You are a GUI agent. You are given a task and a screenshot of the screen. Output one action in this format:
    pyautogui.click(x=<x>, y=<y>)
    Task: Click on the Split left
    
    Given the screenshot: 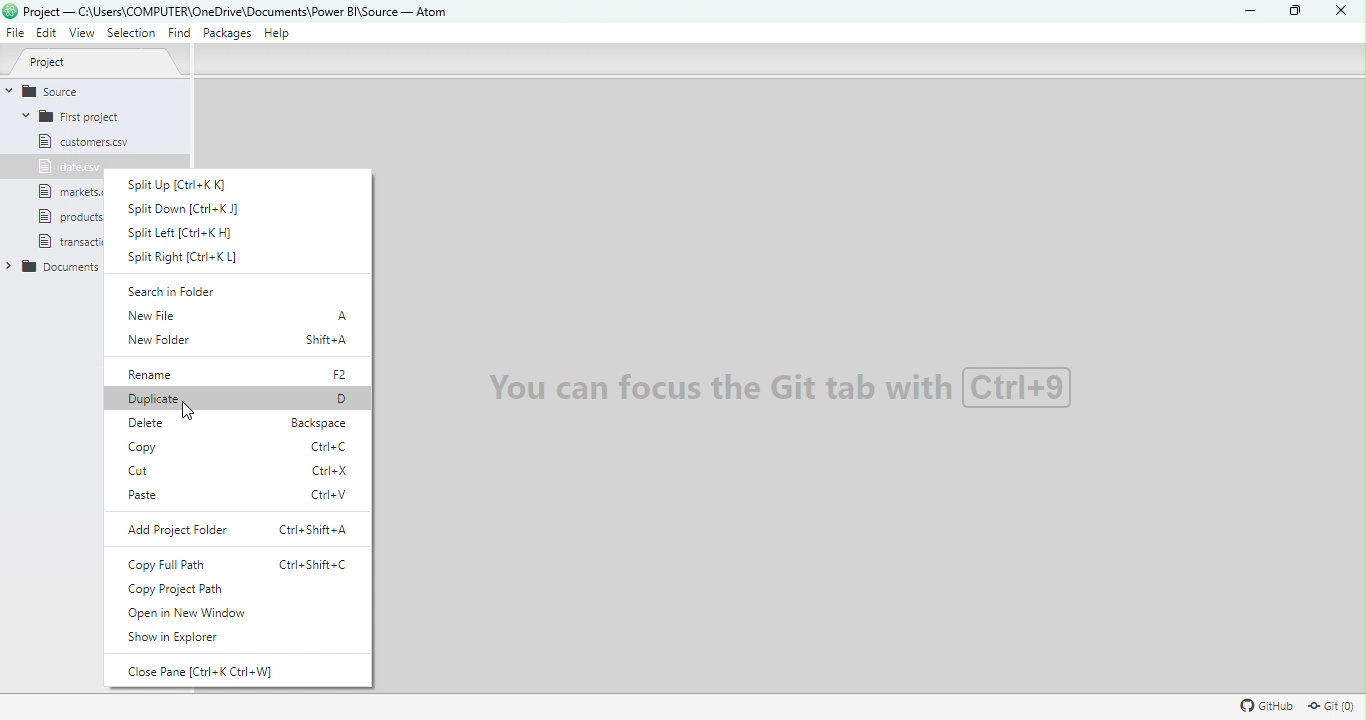 What is the action you would take?
    pyautogui.click(x=179, y=232)
    